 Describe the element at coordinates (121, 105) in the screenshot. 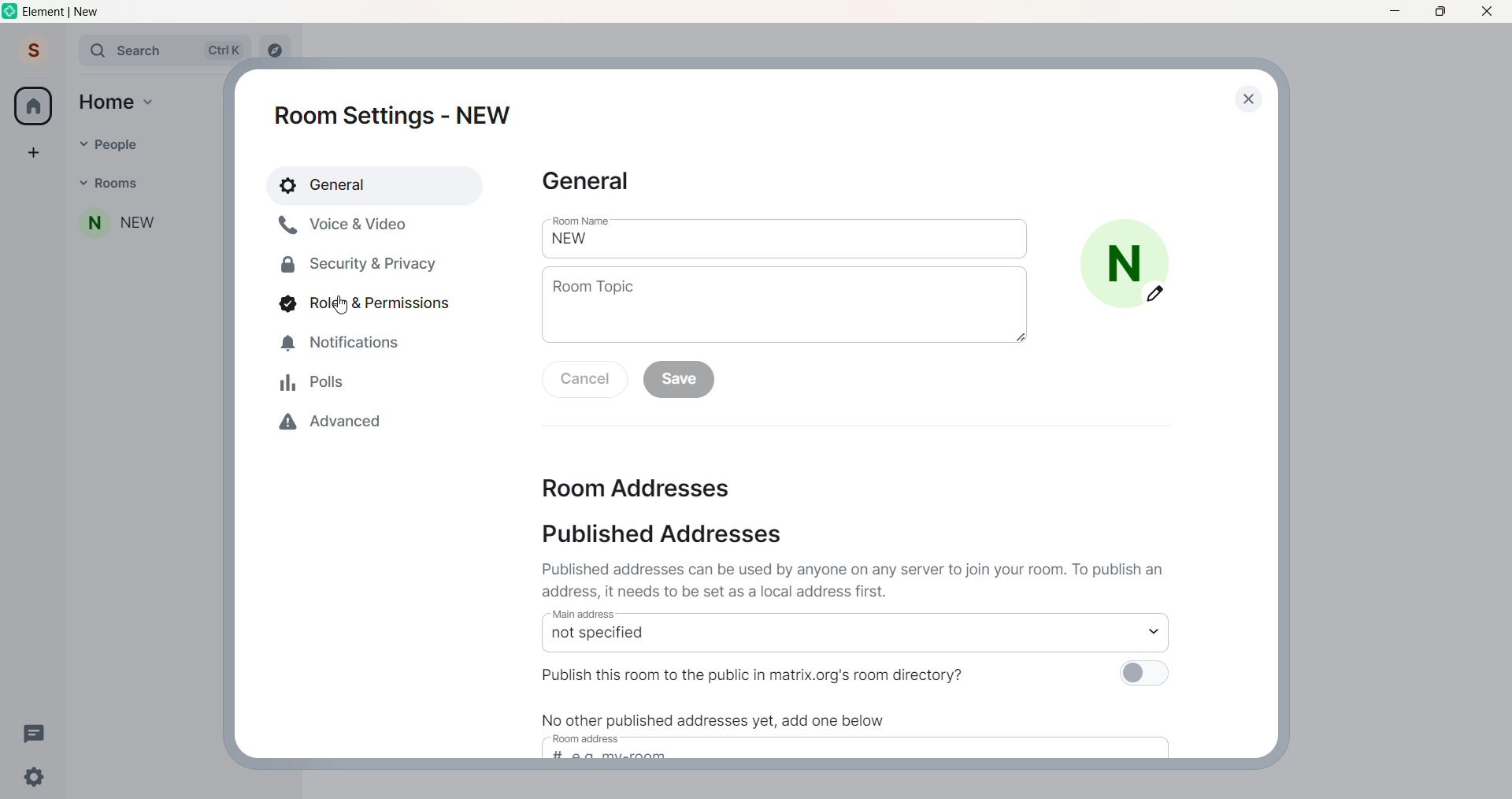

I see `home option` at that location.